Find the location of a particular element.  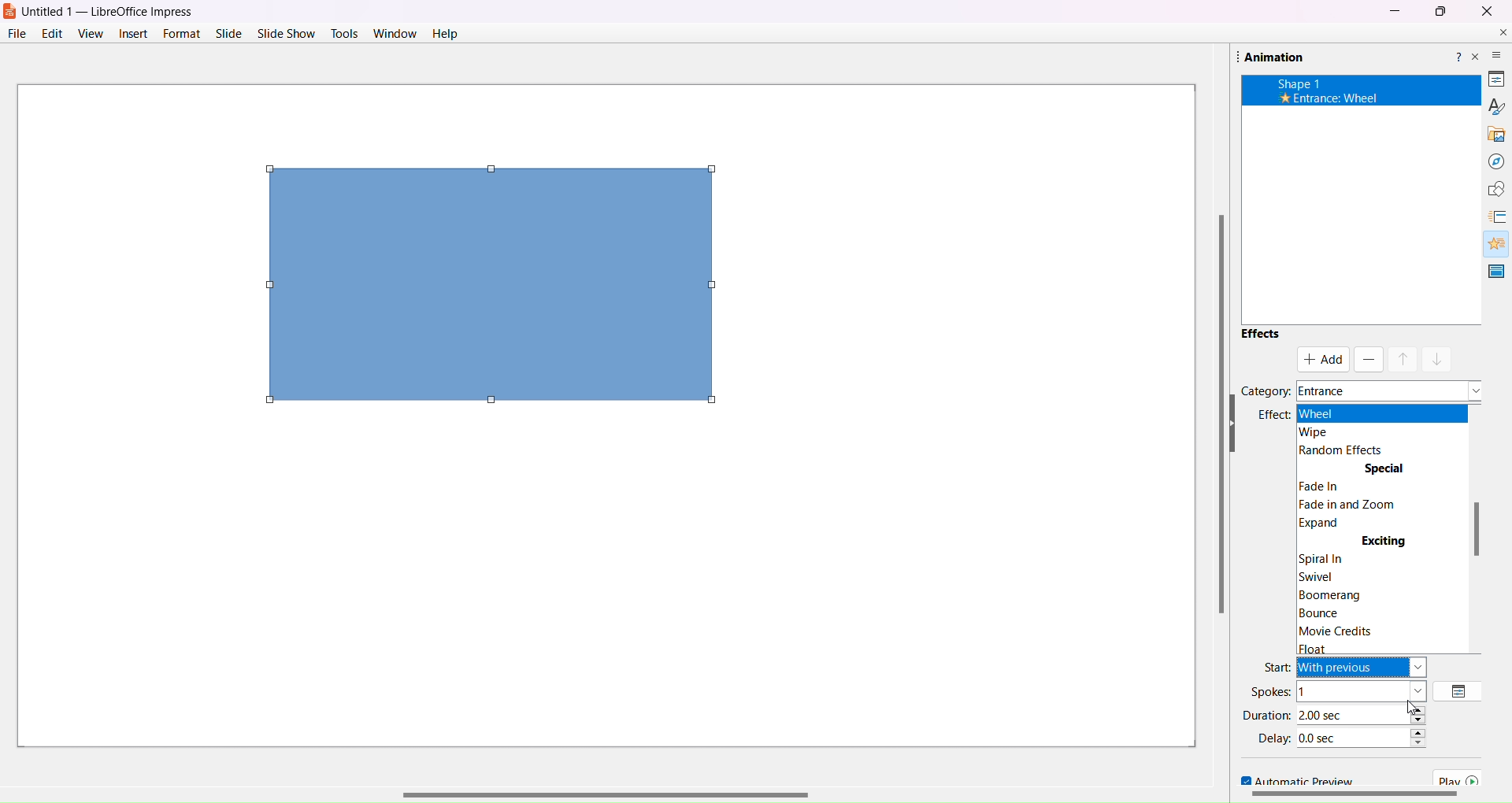

Slide is located at coordinates (228, 33).